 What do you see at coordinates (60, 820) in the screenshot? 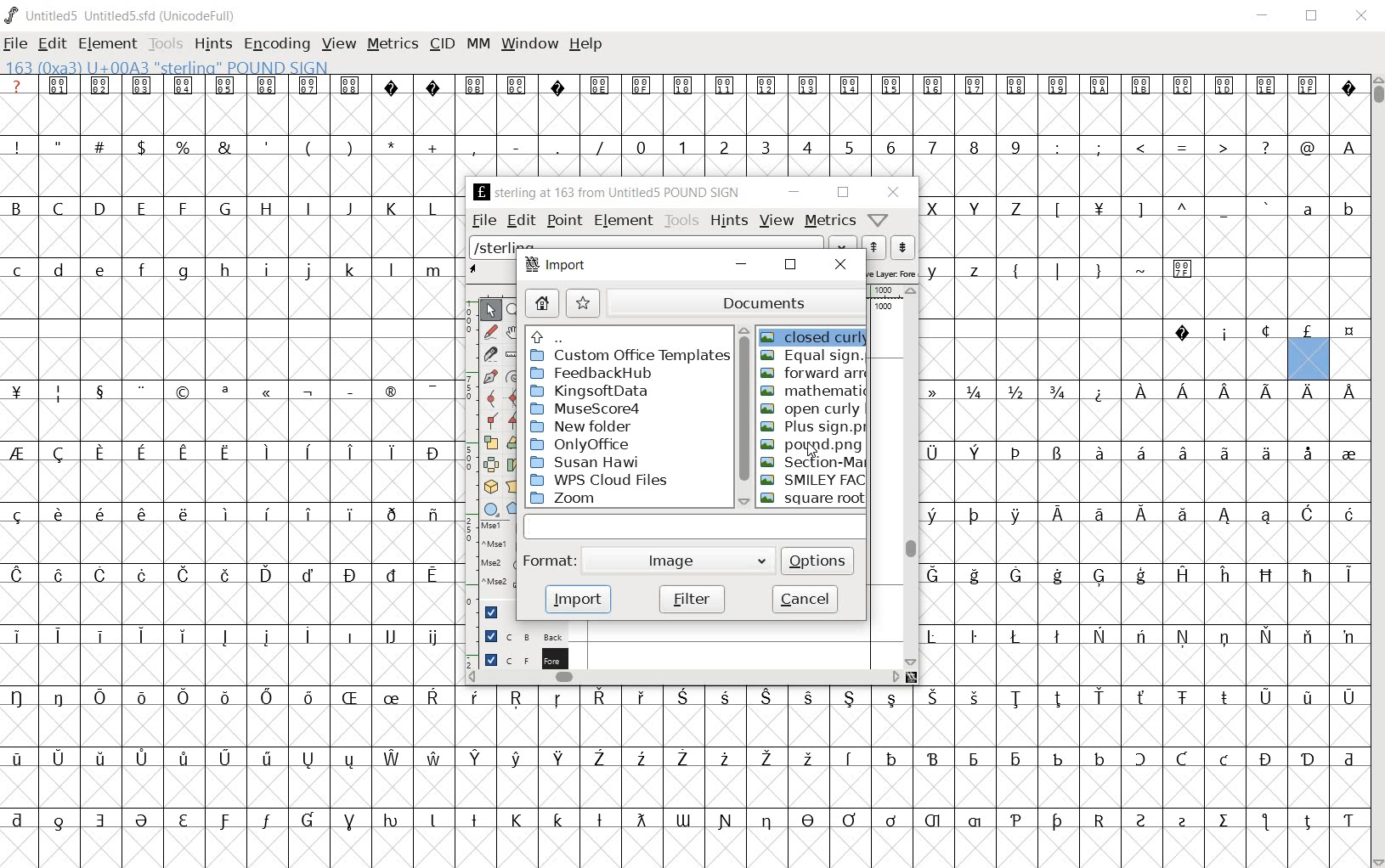
I see `Symbol` at bounding box center [60, 820].